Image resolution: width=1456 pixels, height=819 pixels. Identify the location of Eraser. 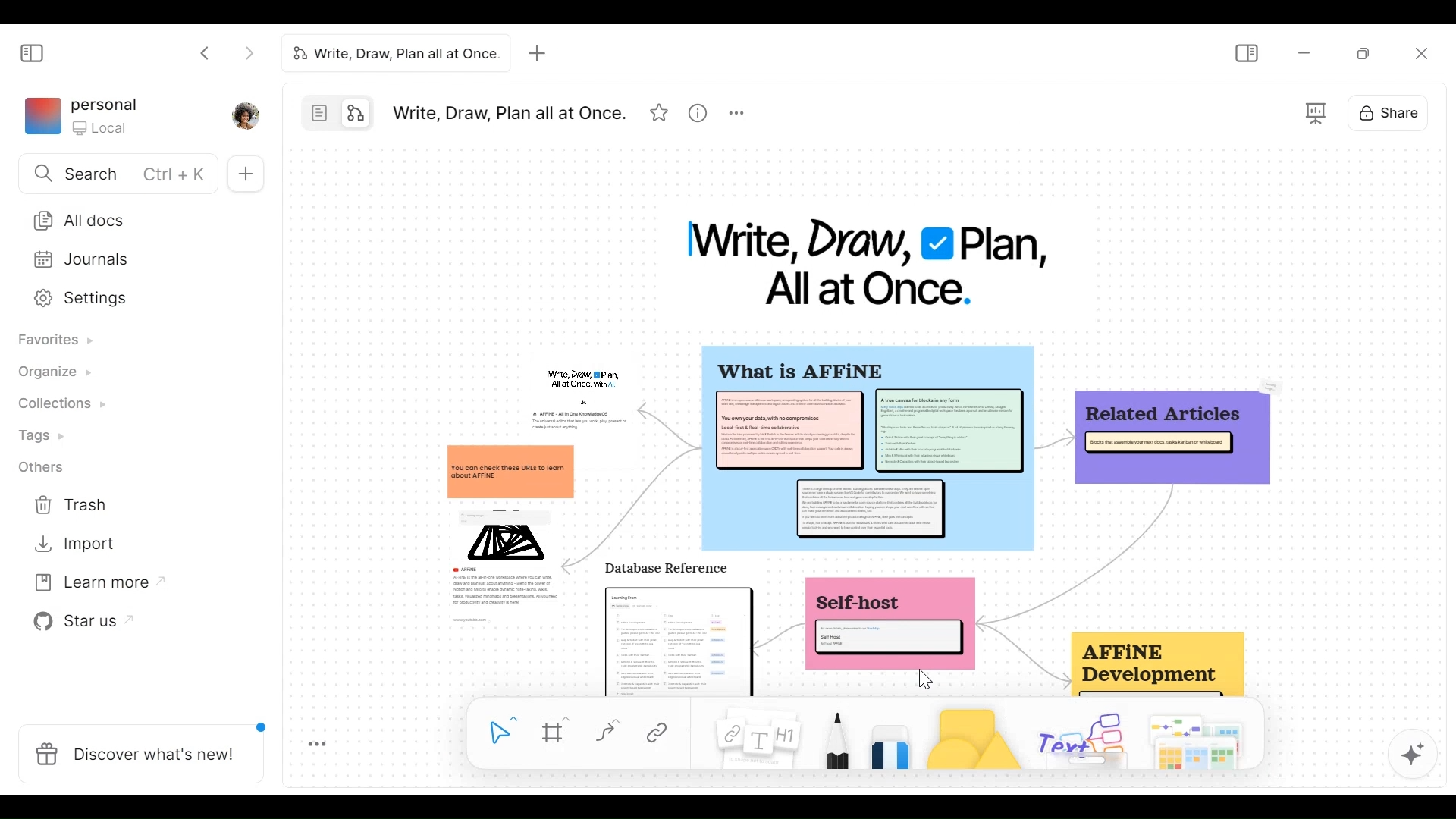
(890, 747).